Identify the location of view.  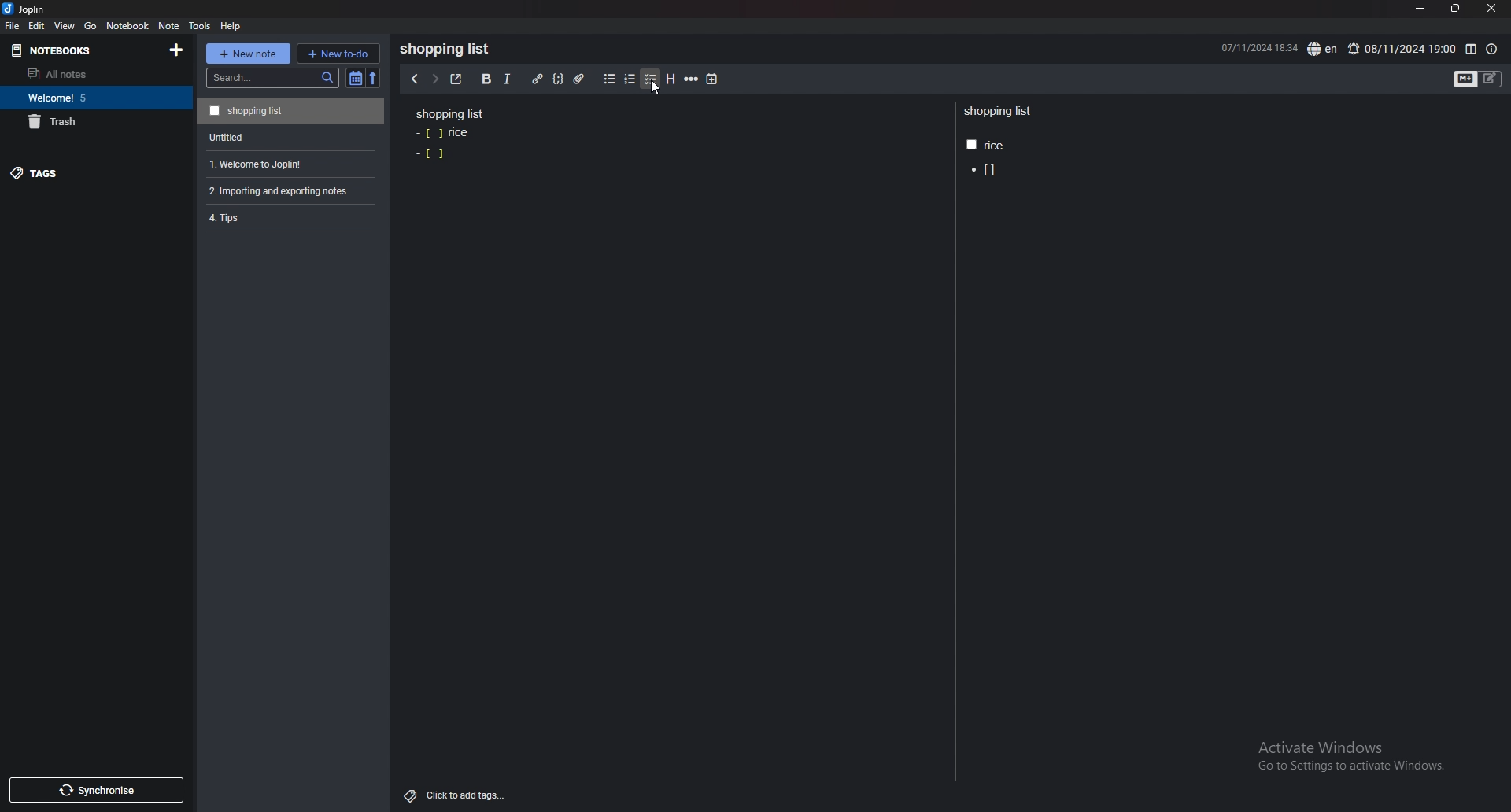
(66, 25).